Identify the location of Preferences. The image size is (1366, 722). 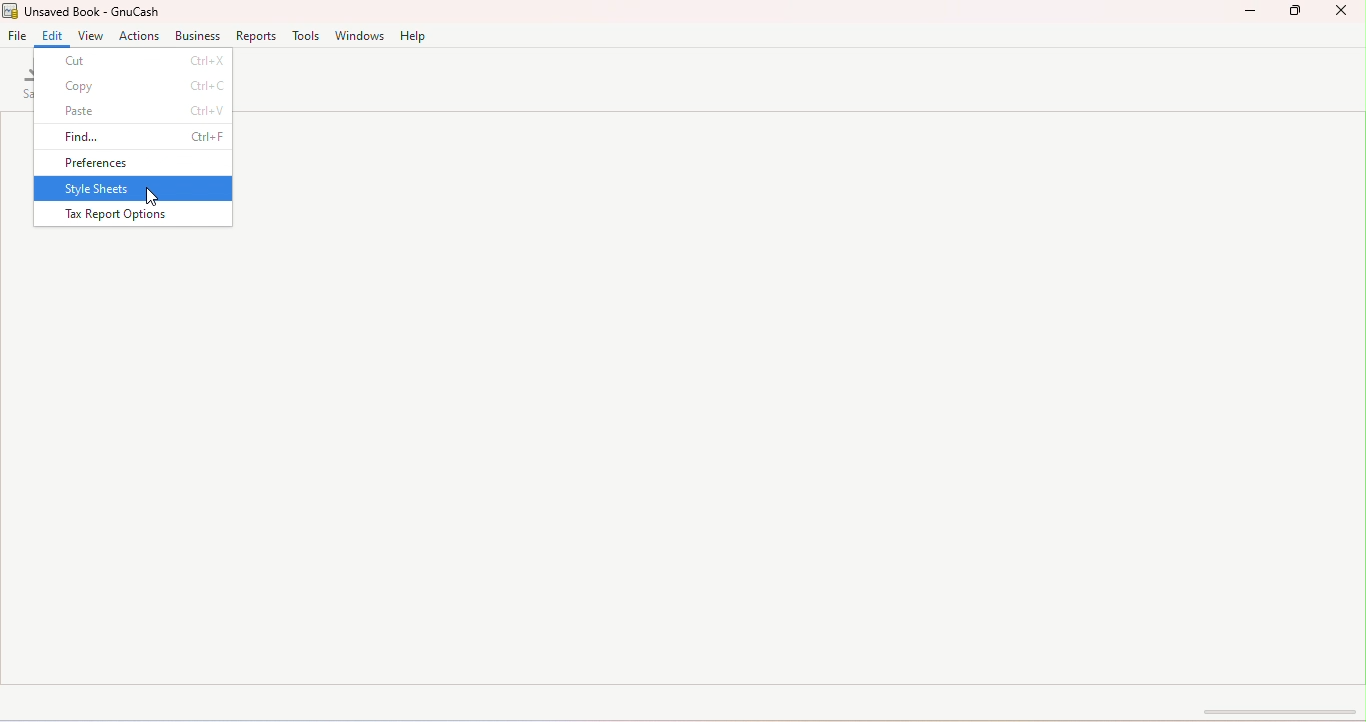
(135, 163).